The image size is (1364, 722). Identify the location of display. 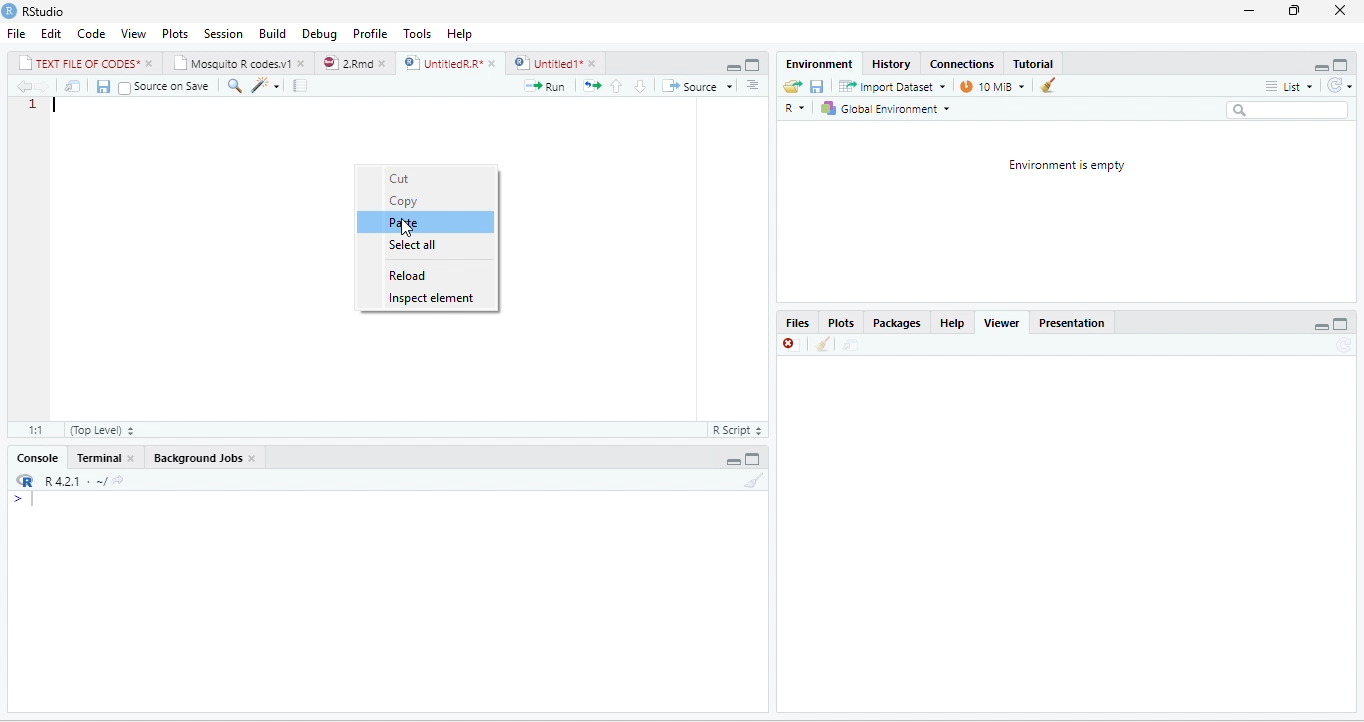
(384, 602).